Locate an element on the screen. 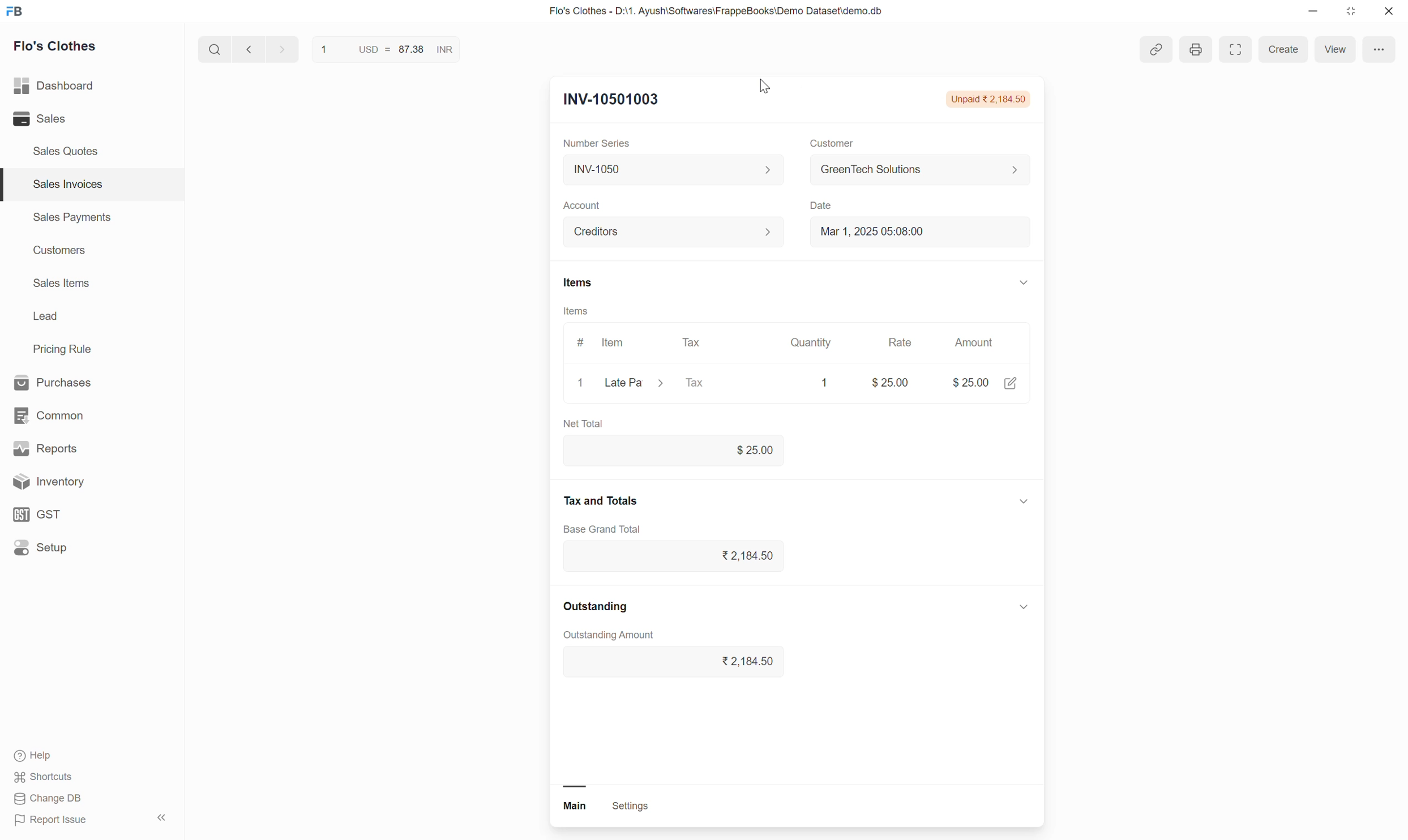  view is located at coordinates (1336, 48).